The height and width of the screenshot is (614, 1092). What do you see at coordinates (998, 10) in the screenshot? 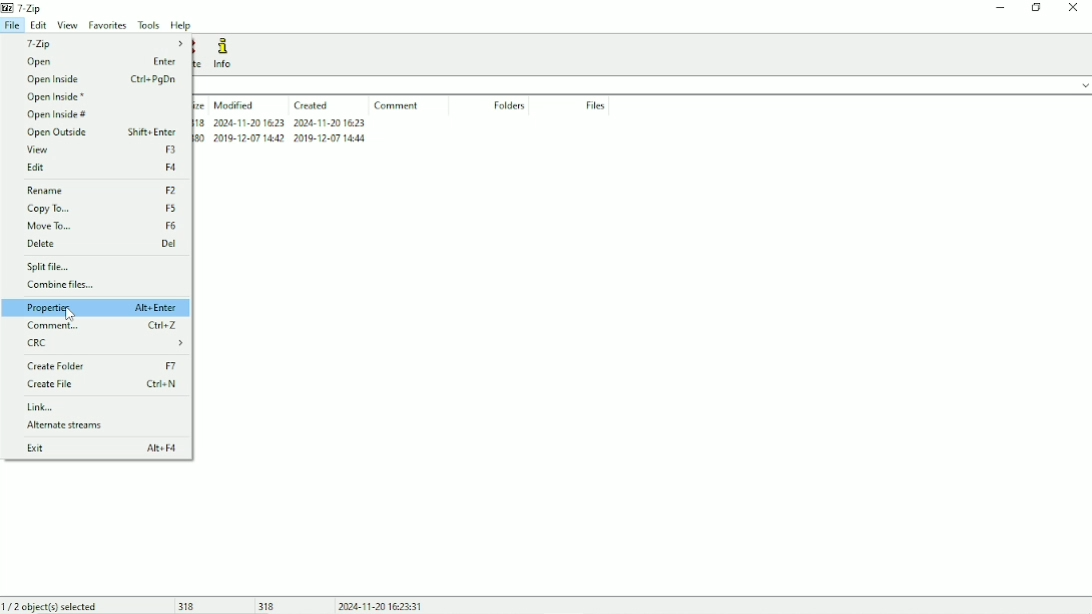
I see `Minimize` at bounding box center [998, 10].